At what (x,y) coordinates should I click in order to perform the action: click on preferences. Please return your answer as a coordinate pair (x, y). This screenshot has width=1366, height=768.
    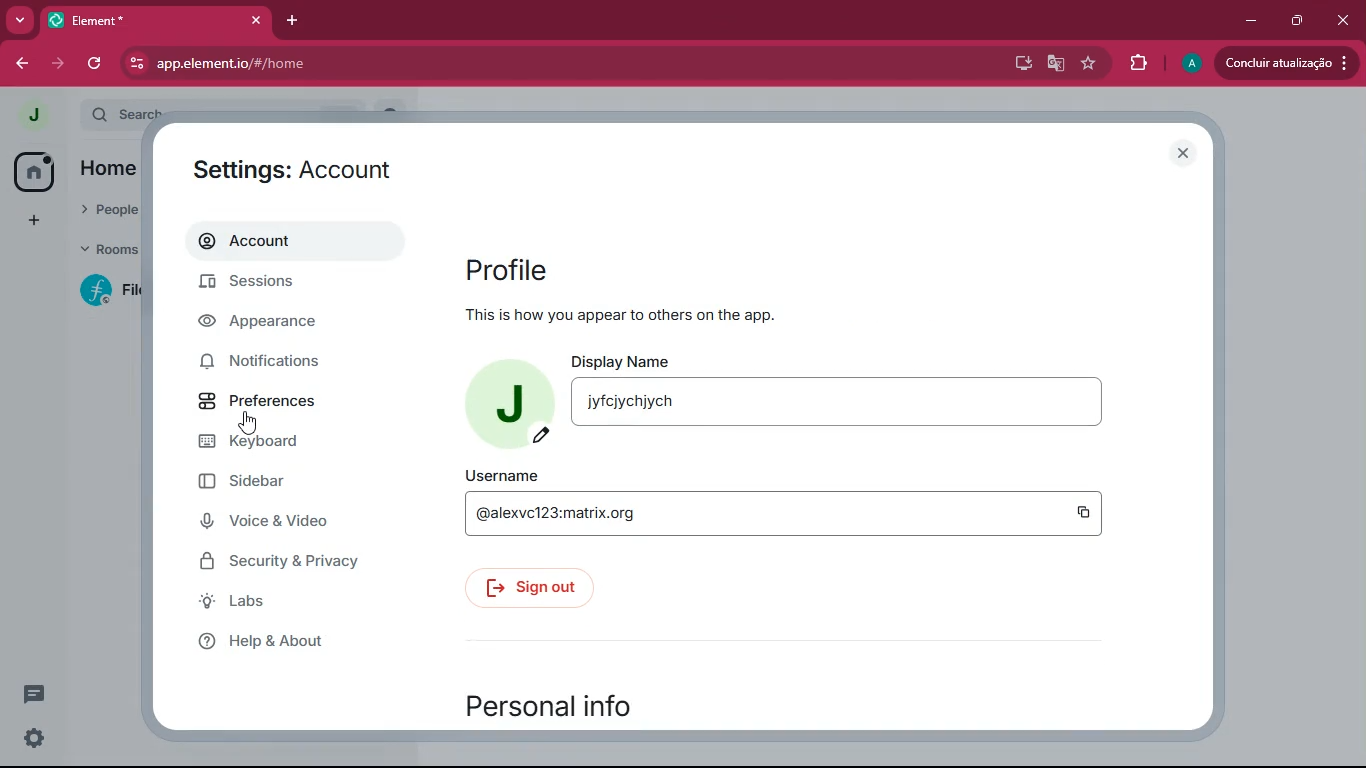
    Looking at the image, I should click on (286, 398).